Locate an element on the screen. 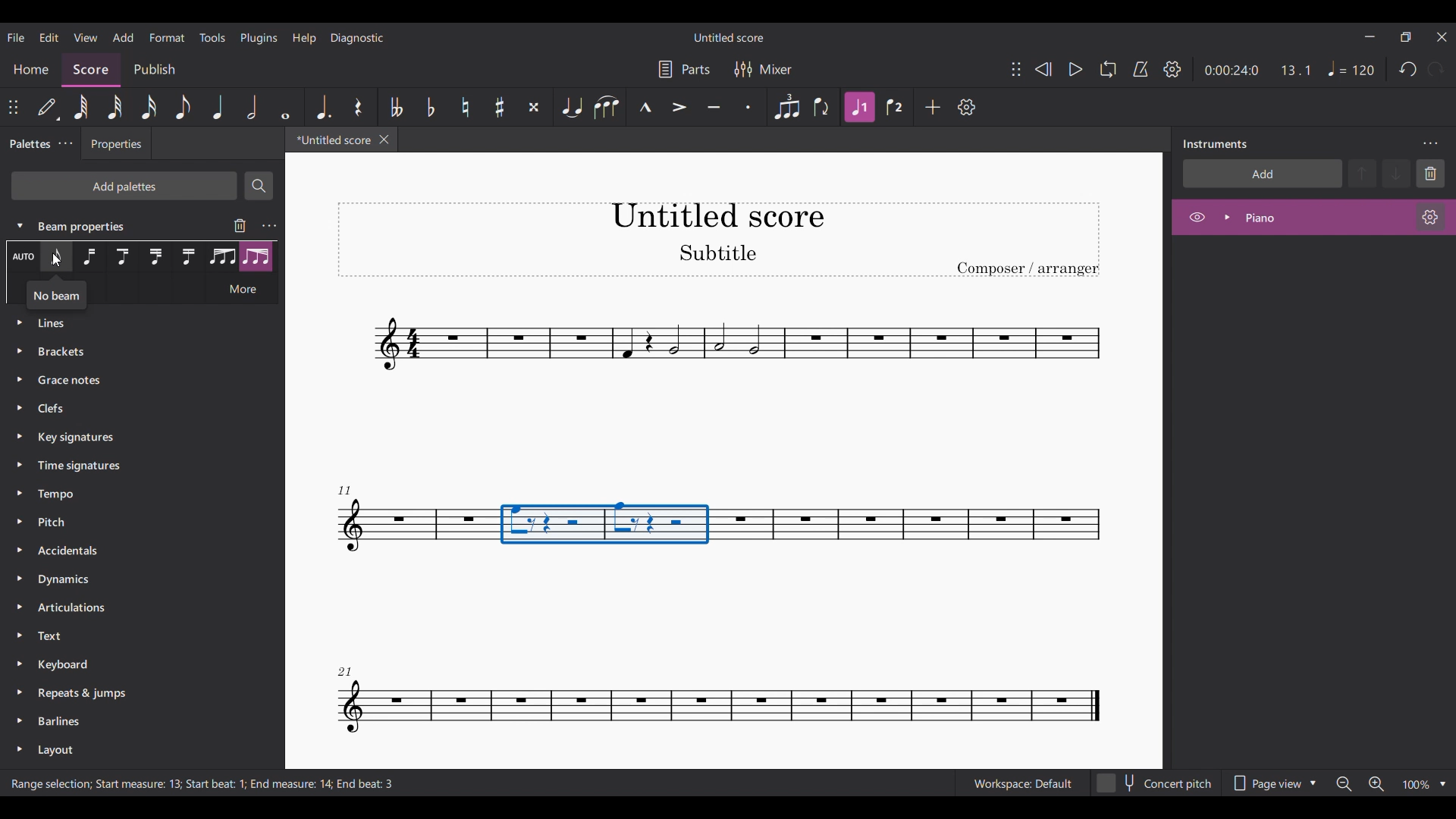  Dynamics is located at coordinates (127, 579).